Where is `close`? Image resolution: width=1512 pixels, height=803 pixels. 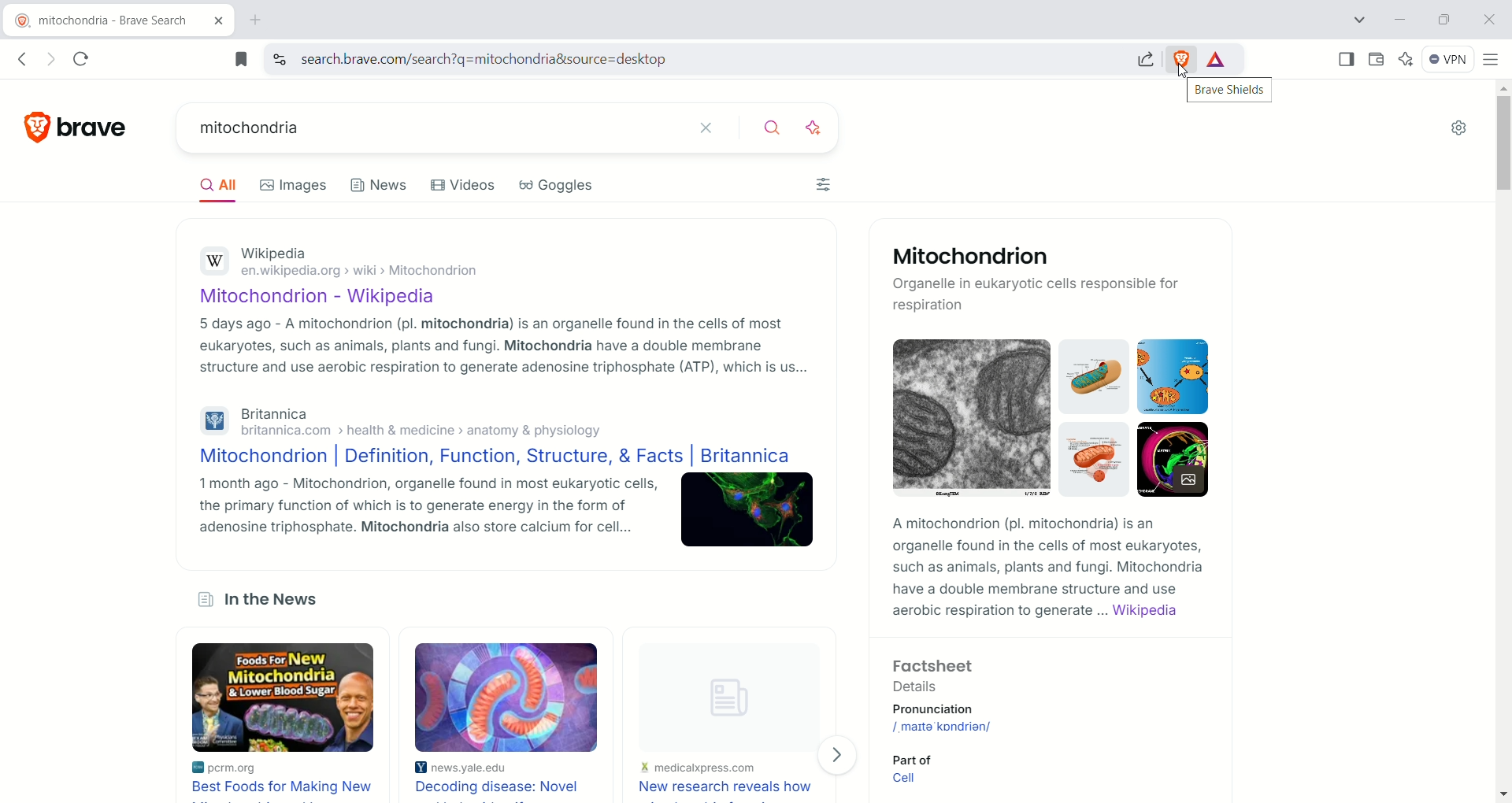 close is located at coordinates (1488, 20).